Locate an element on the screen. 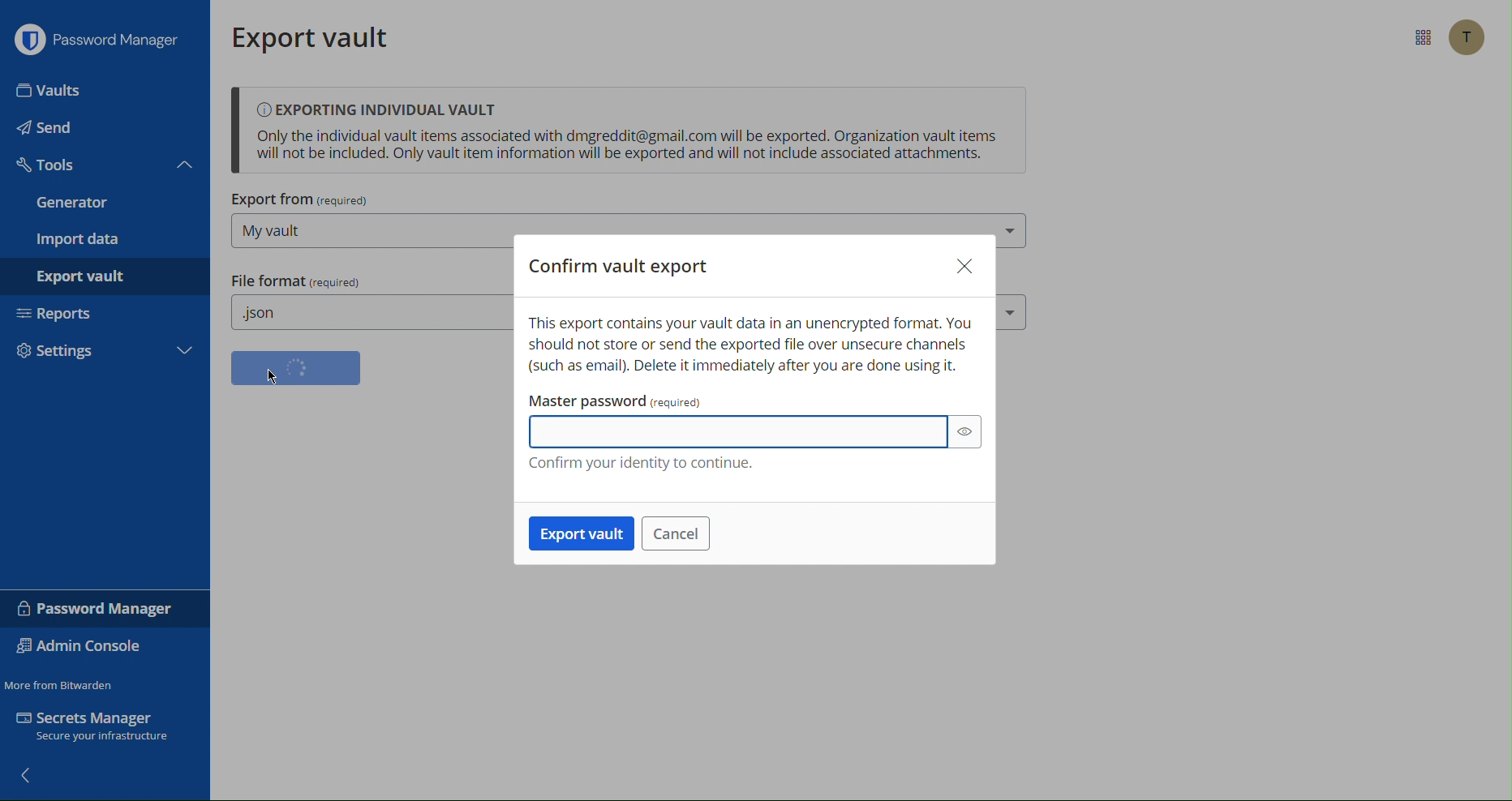 This screenshot has width=1512, height=801. Send is located at coordinates (99, 129).